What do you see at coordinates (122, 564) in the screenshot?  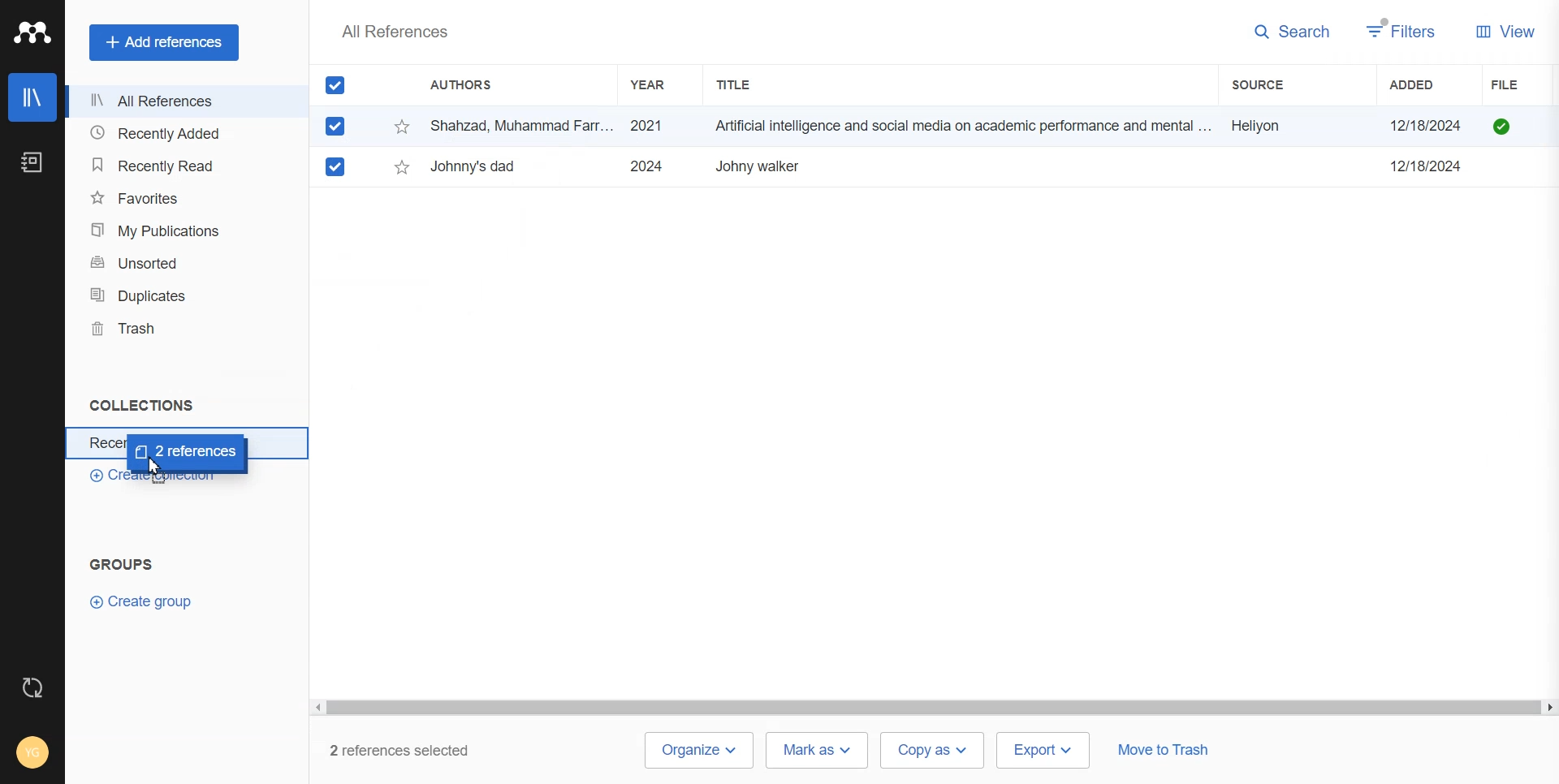 I see `Text 2` at bounding box center [122, 564].